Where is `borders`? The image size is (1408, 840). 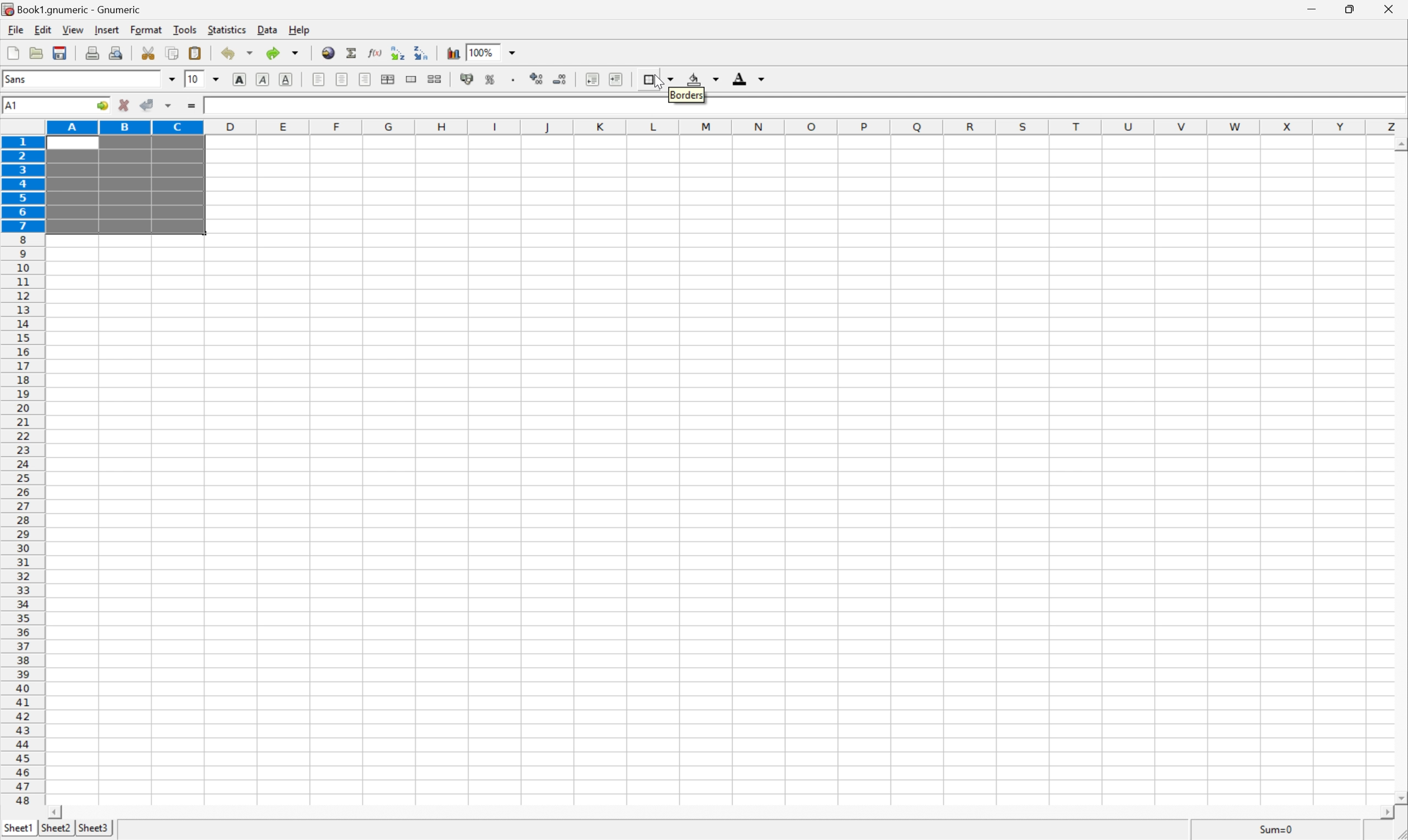
borders is located at coordinates (657, 78).